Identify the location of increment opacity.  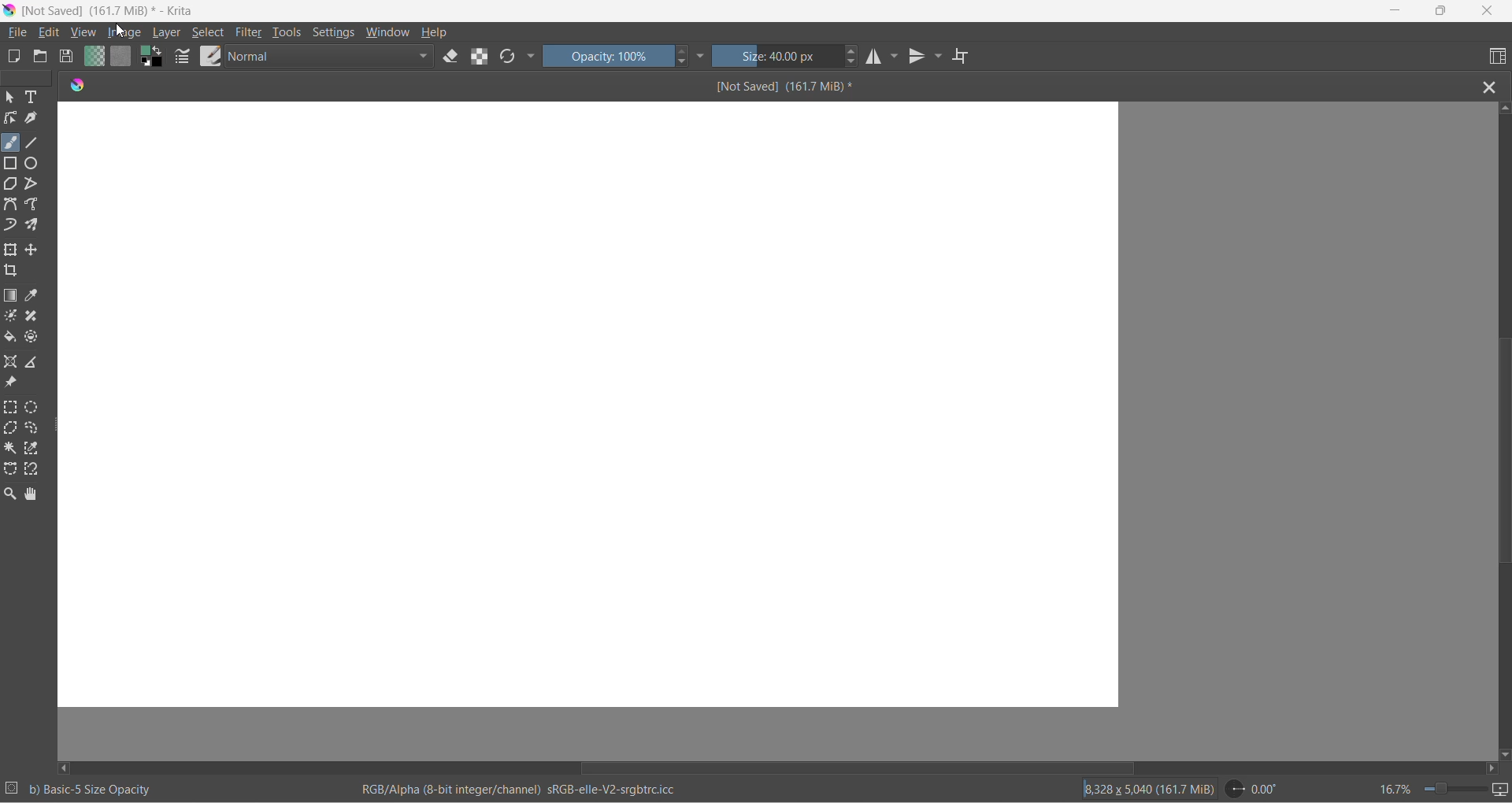
(683, 52).